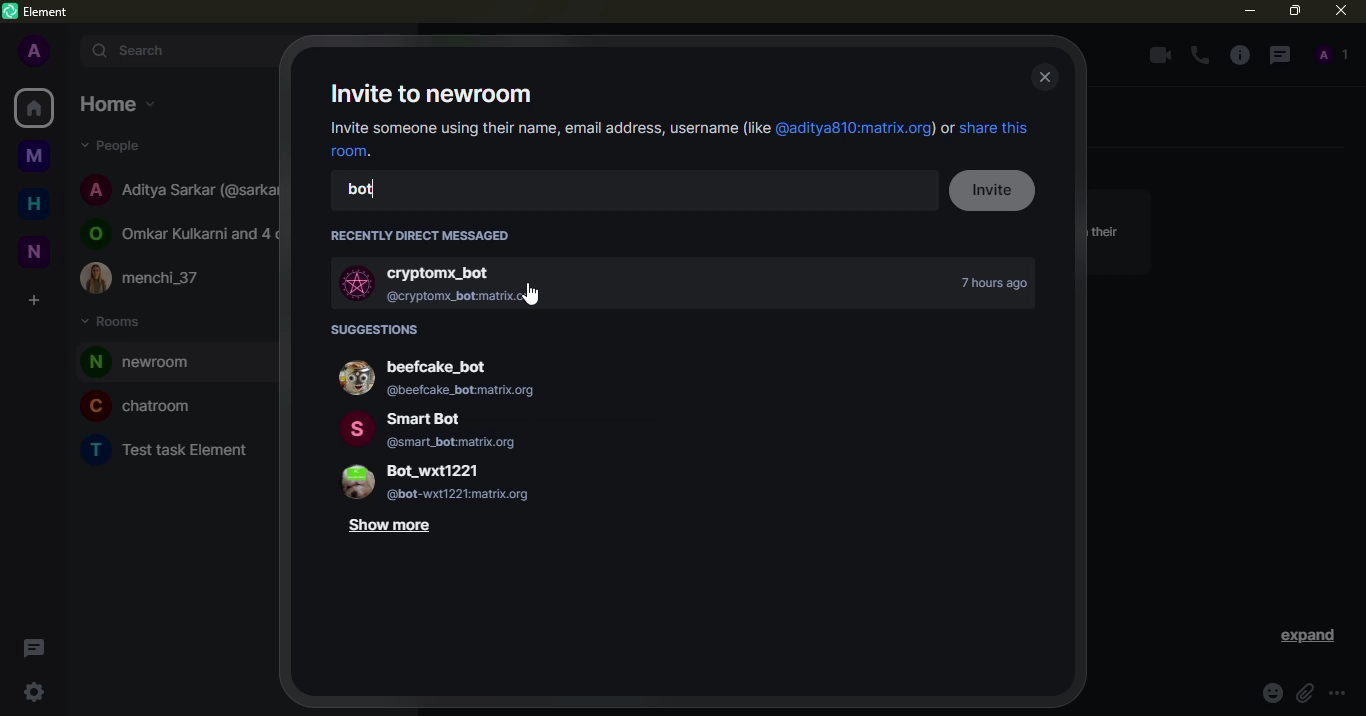 The image size is (1366, 716). Describe the element at coordinates (1291, 13) in the screenshot. I see `maximize` at that location.